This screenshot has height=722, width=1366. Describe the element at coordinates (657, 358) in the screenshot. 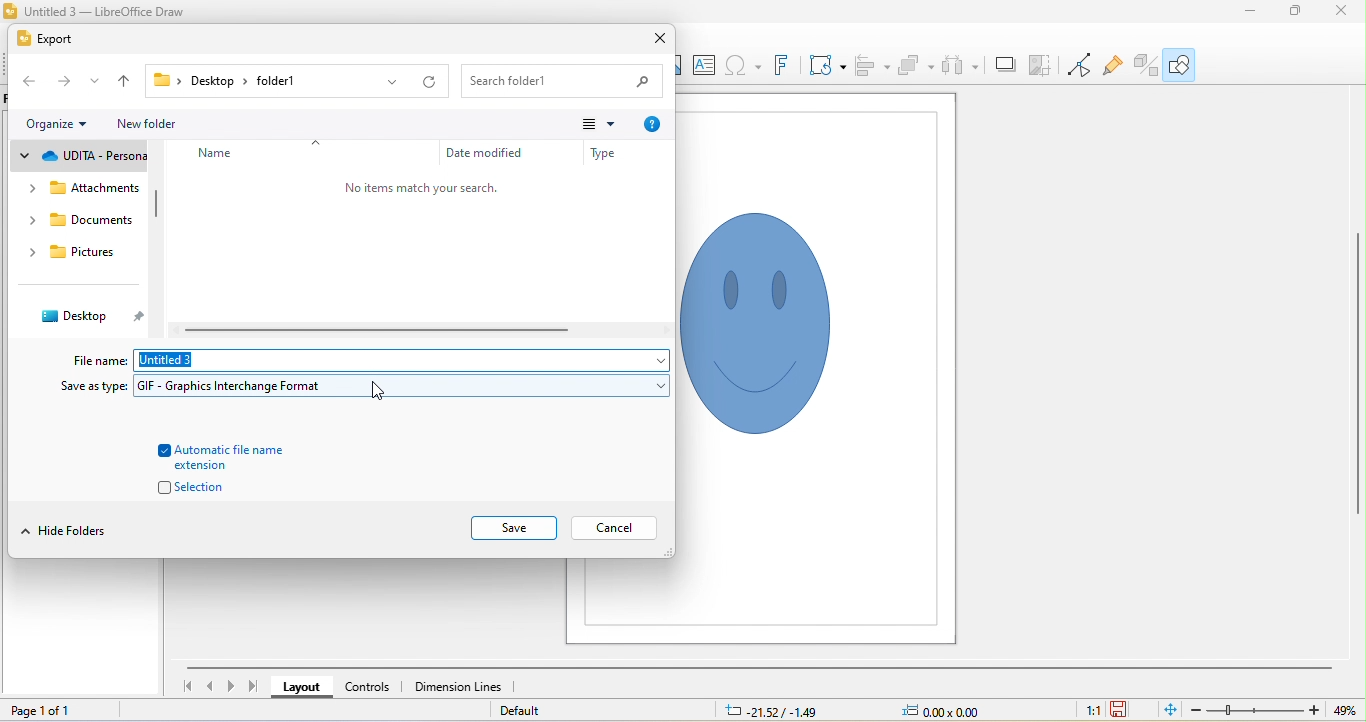

I see `drop down` at that location.